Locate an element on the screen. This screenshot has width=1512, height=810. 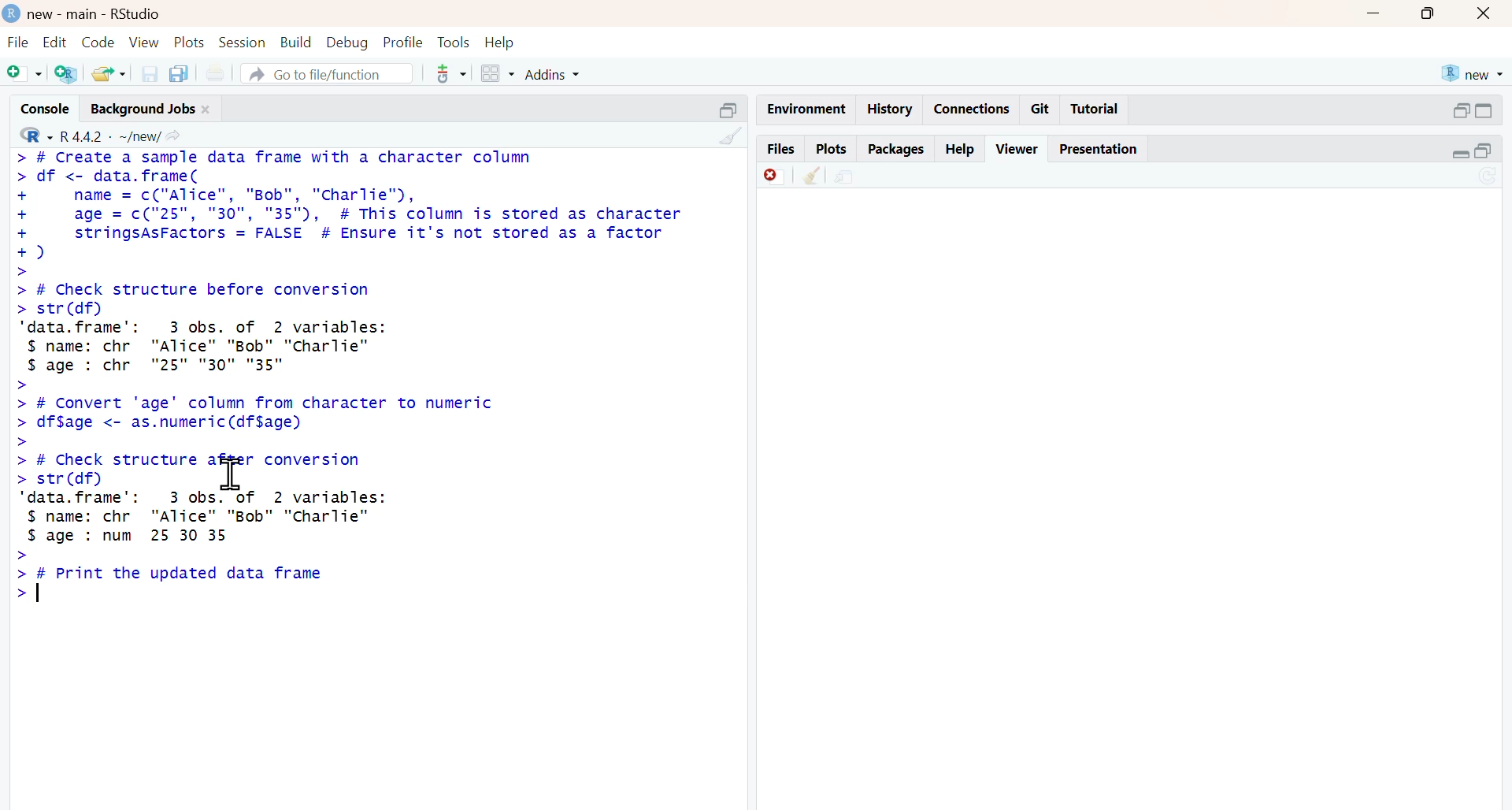
close is located at coordinates (1484, 13).